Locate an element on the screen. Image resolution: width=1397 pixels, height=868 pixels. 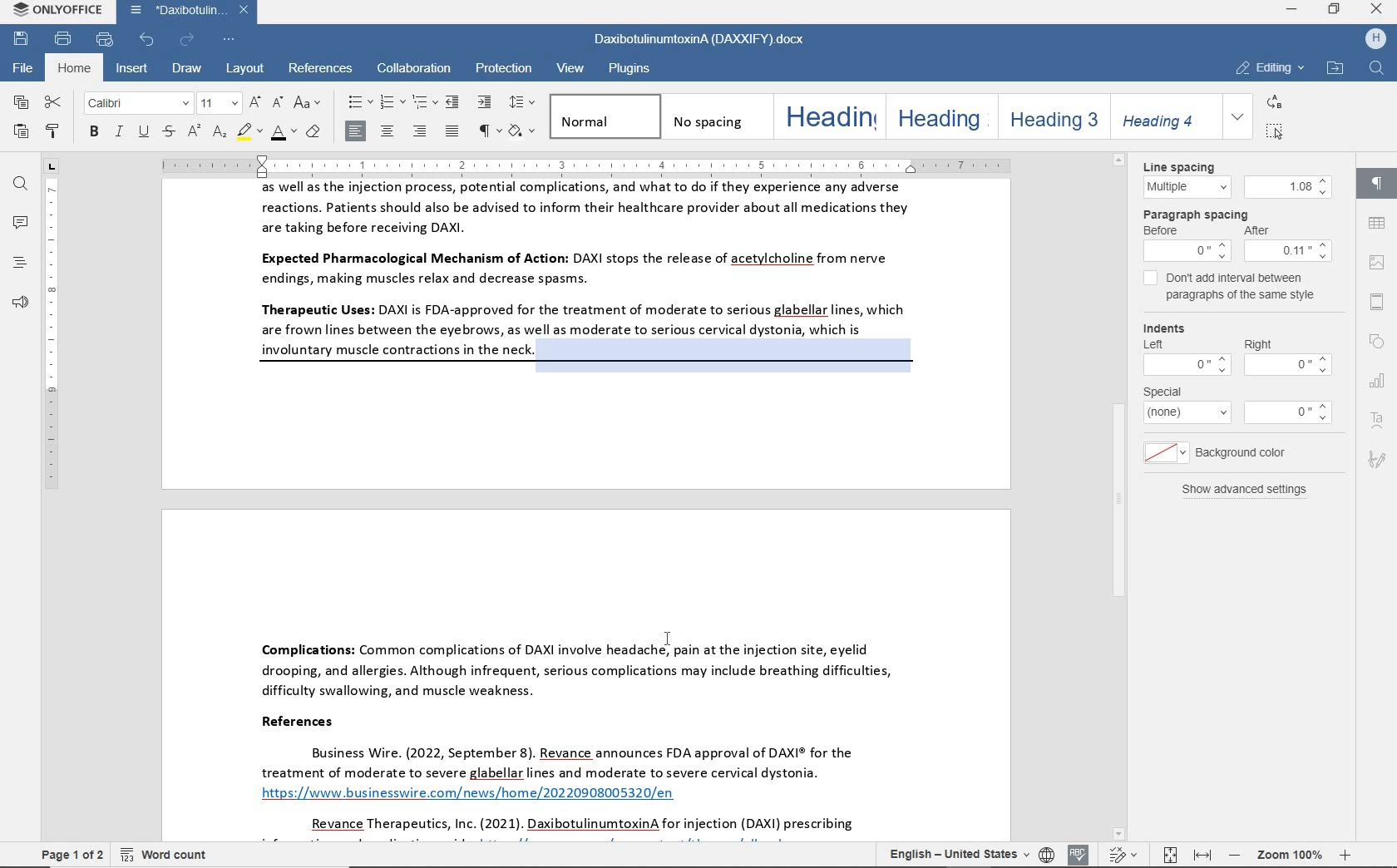
paragraph spacing is located at coordinates (1237, 234).